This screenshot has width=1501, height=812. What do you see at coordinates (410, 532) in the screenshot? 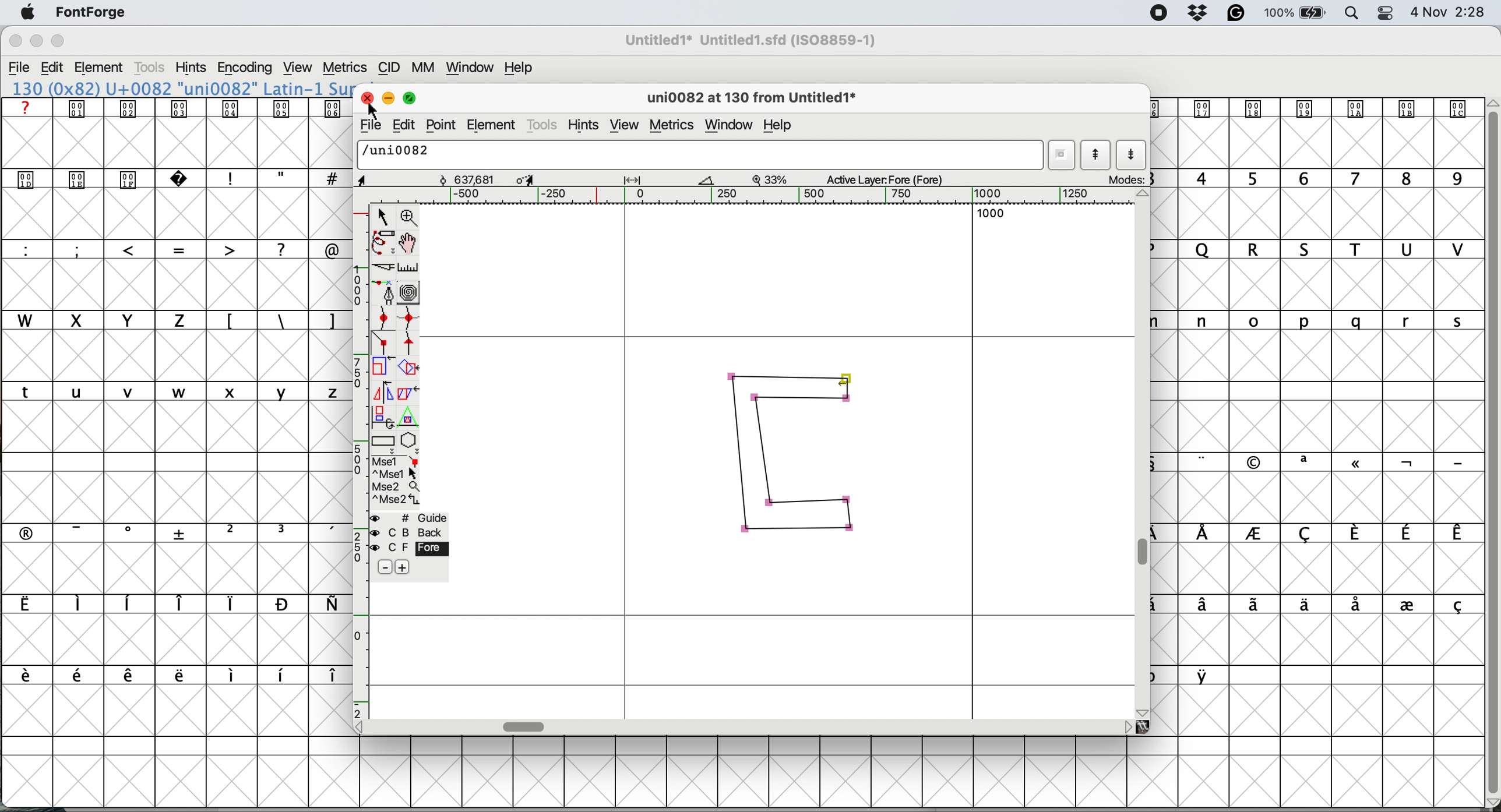
I see `back` at bounding box center [410, 532].